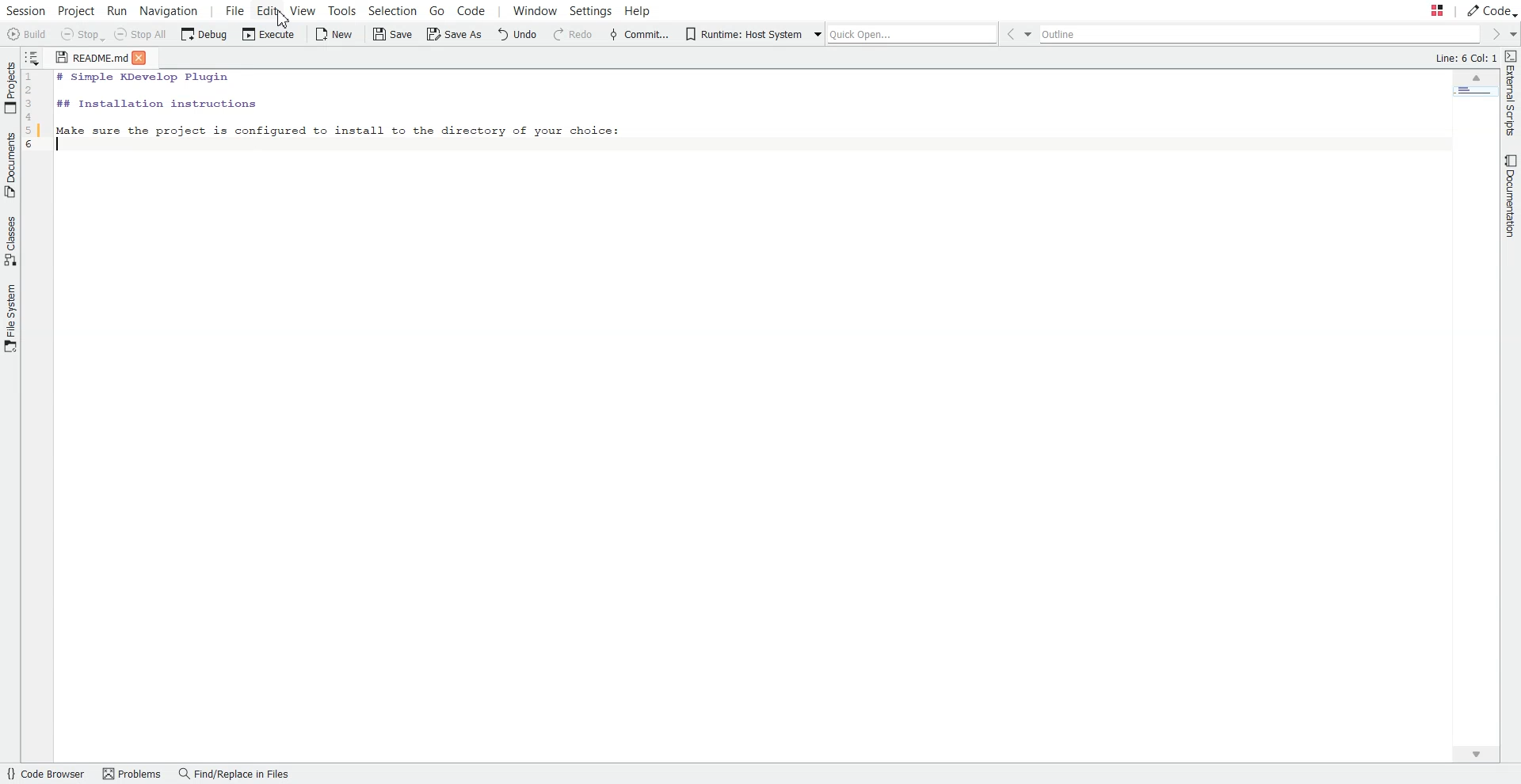 The image size is (1521, 784). What do you see at coordinates (1421, 11) in the screenshot?
I see `Stash` at bounding box center [1421, 11].